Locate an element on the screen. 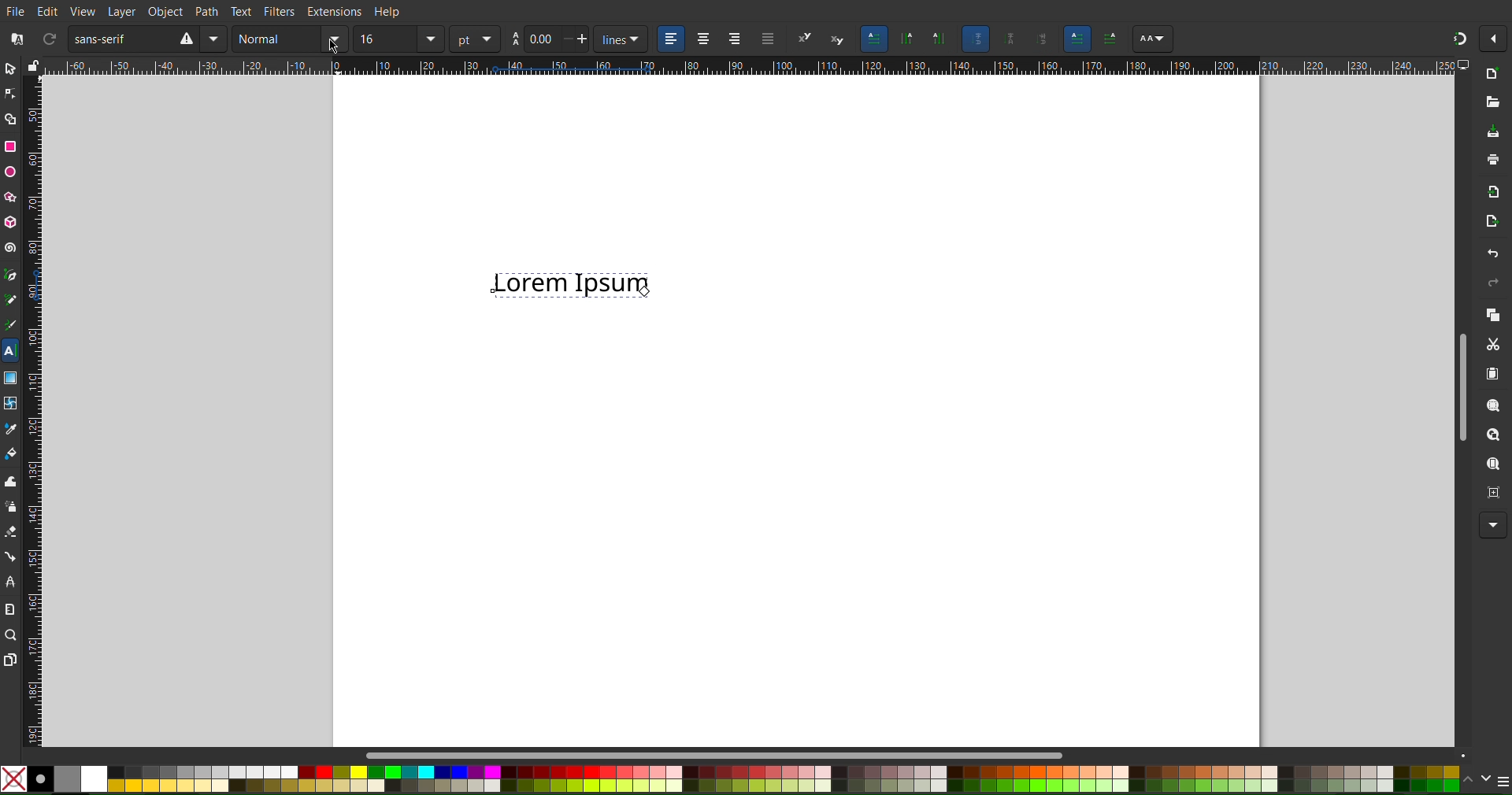 Image resolution: width=1512 pixels, height=795 pixels. Horizontal Text is located at coordinates (875, 39).